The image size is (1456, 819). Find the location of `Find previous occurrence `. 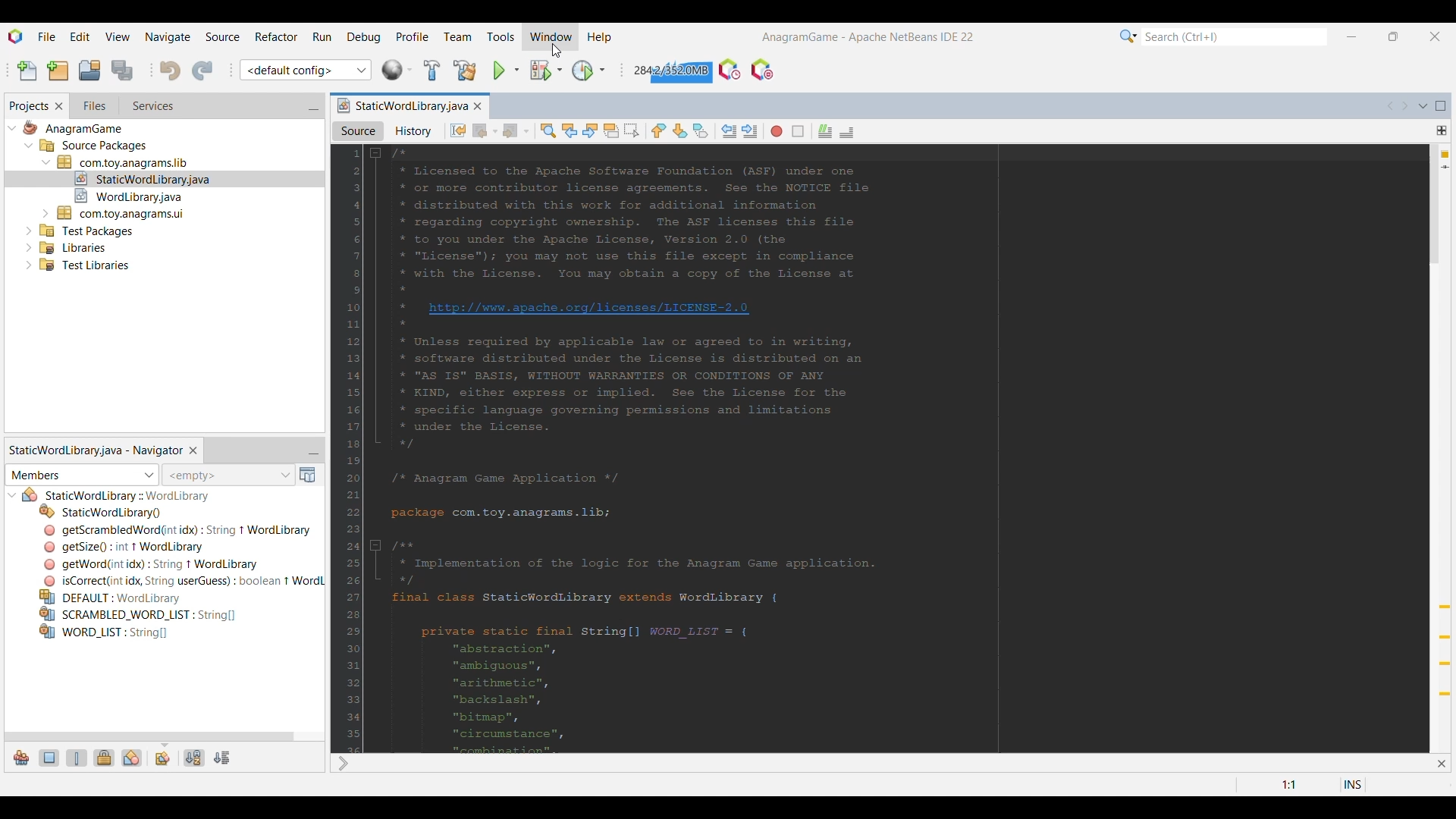

Find previous occurrence  is located at coordinates (570, 131).